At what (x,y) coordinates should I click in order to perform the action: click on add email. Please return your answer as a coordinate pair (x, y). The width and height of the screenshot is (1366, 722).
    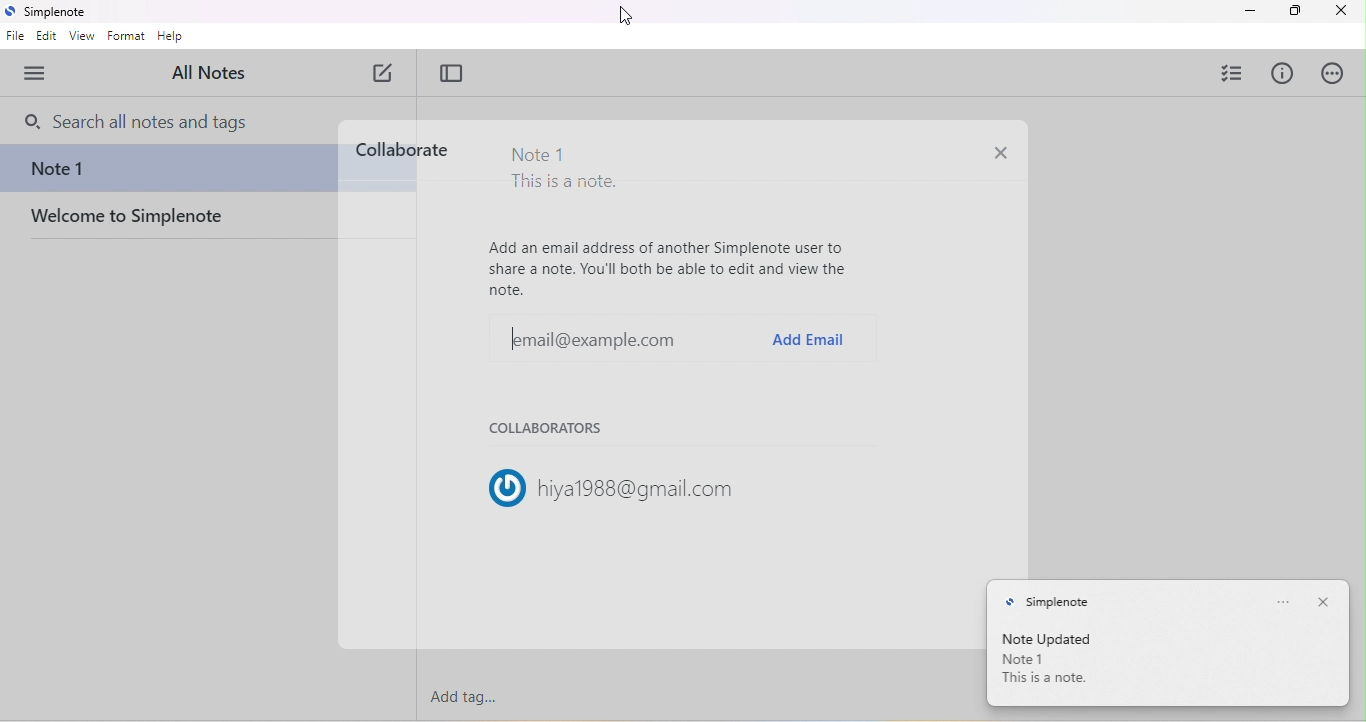
    Looking at the image, I should click on (808, 339).